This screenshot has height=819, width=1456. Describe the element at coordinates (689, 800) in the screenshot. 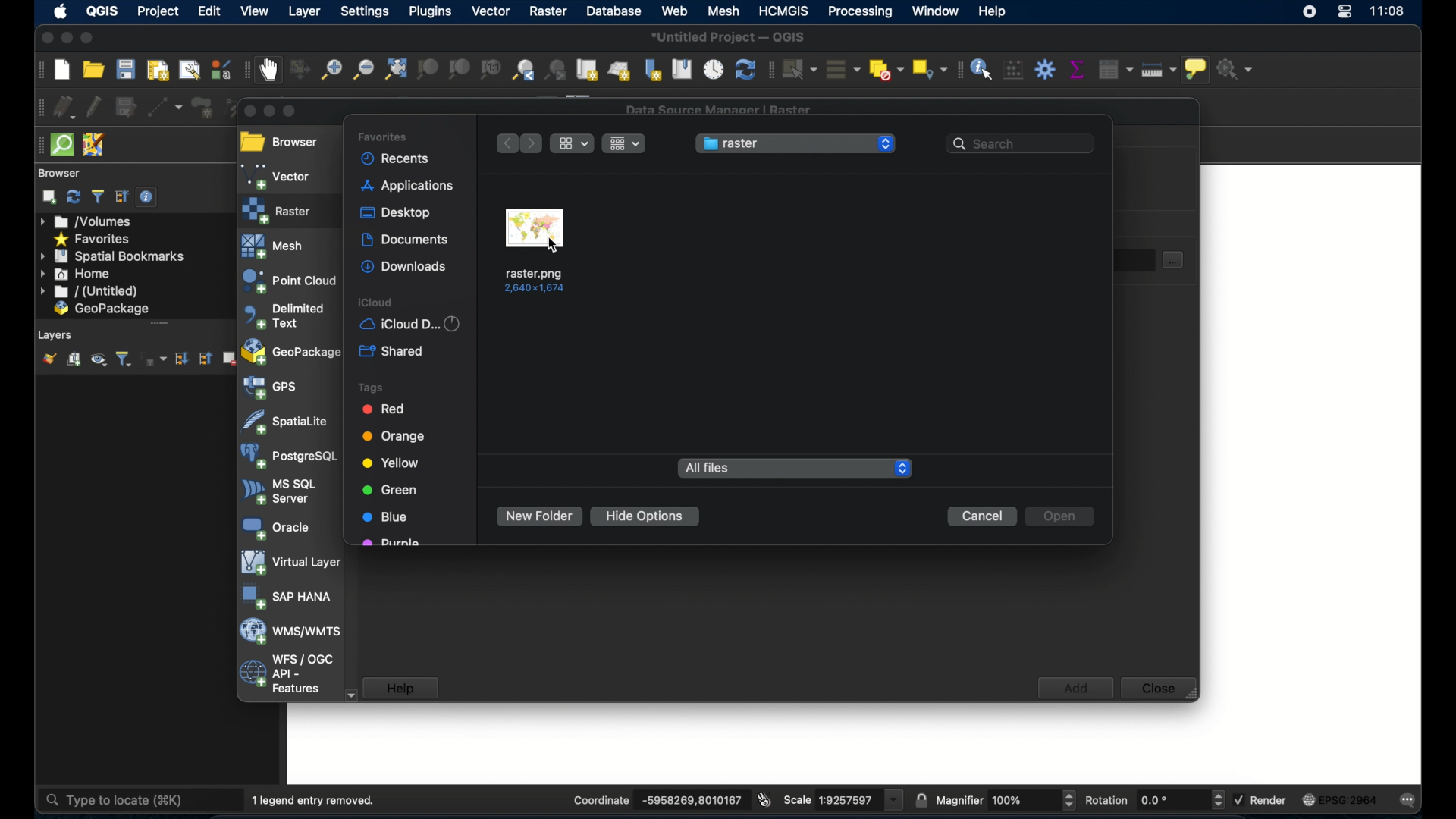

I see `coordinate` at that location.